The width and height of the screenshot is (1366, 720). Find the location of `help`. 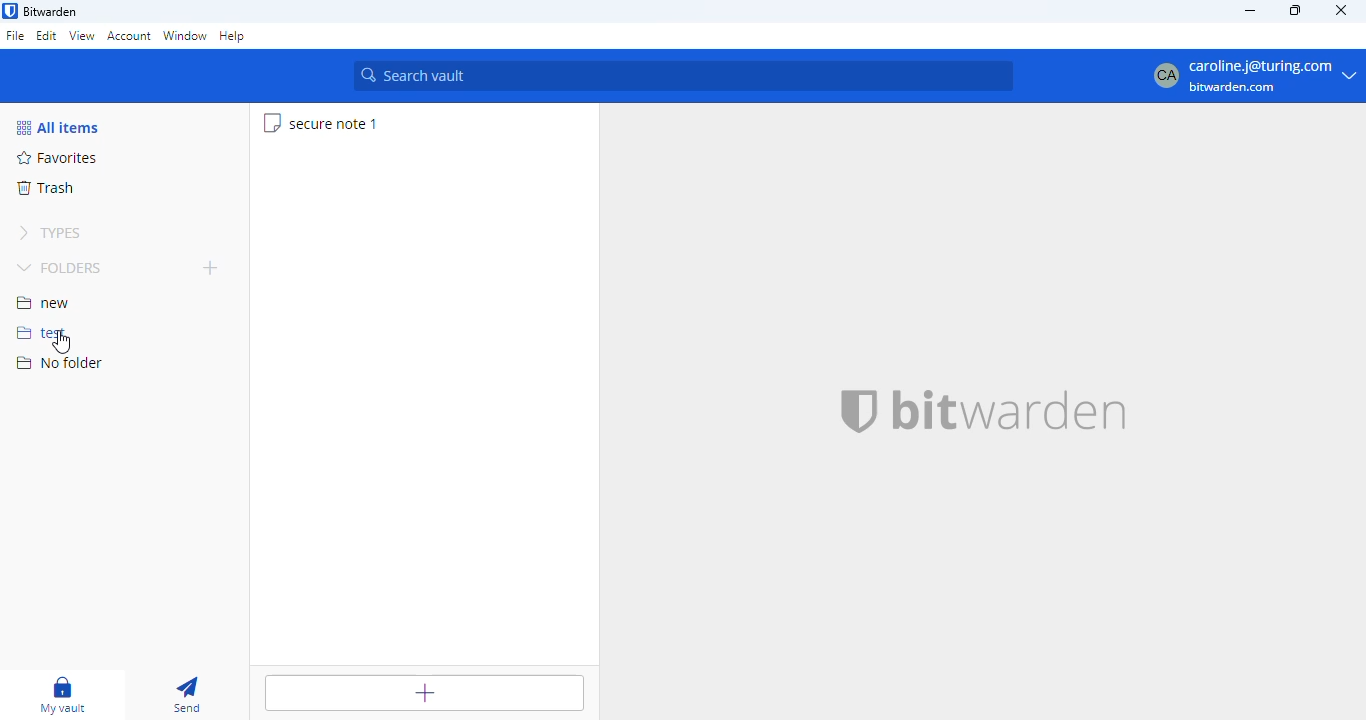

help is located at coordinates (233, 37).